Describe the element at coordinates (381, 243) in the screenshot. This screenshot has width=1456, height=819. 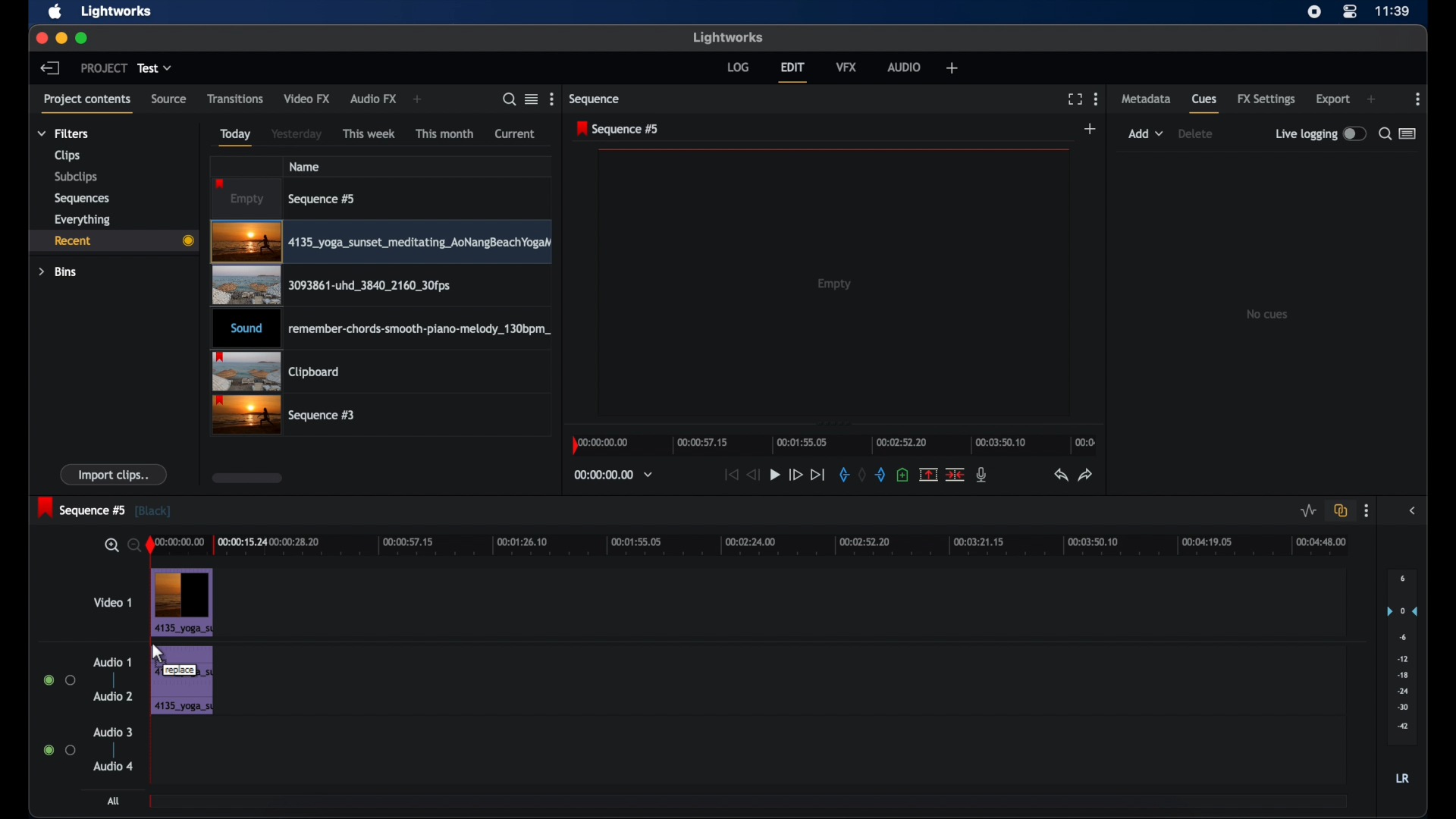
I see `video clip` at that location.